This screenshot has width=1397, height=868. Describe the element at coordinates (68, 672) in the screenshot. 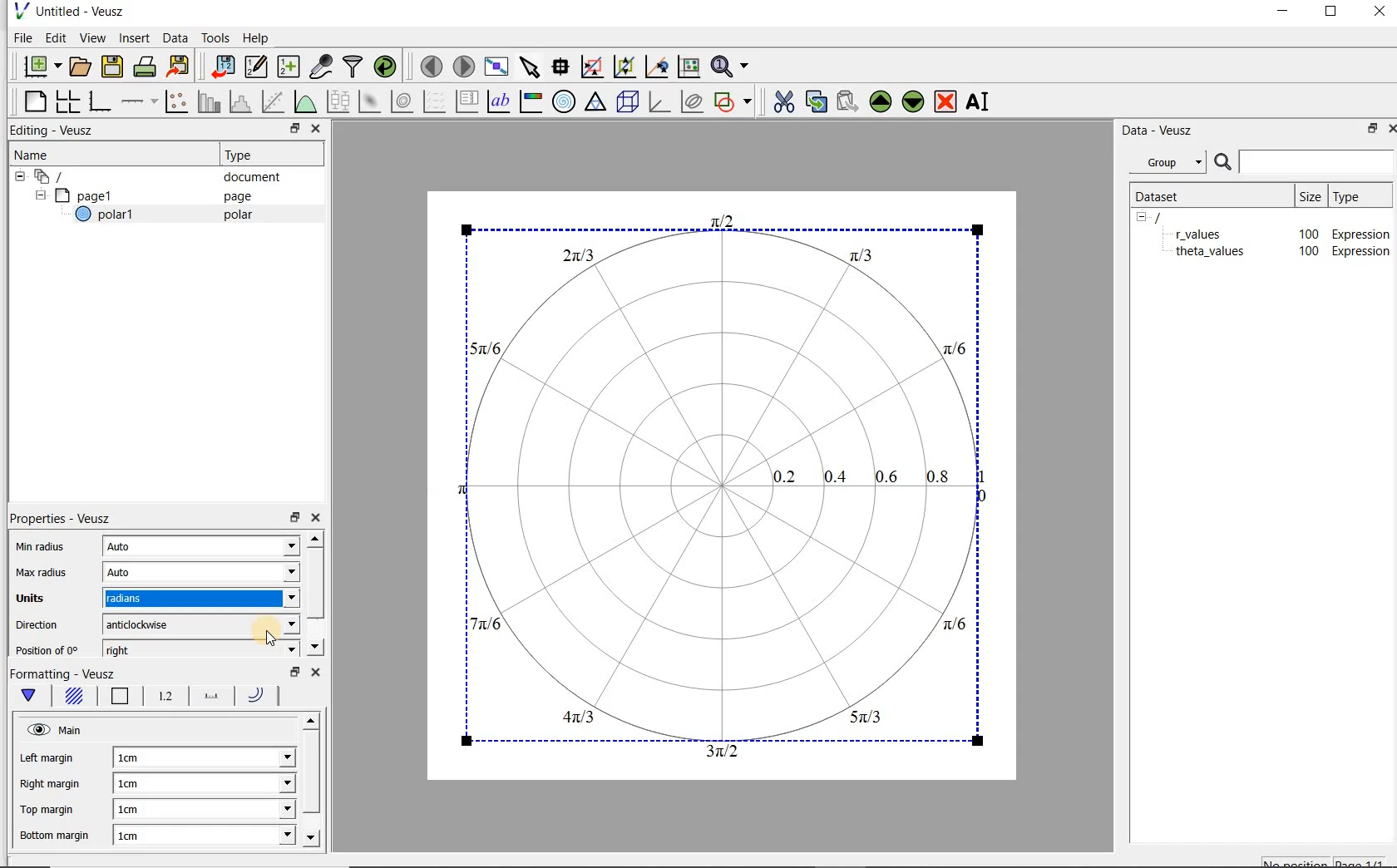

I see `Formatting - Veusz` at that location.